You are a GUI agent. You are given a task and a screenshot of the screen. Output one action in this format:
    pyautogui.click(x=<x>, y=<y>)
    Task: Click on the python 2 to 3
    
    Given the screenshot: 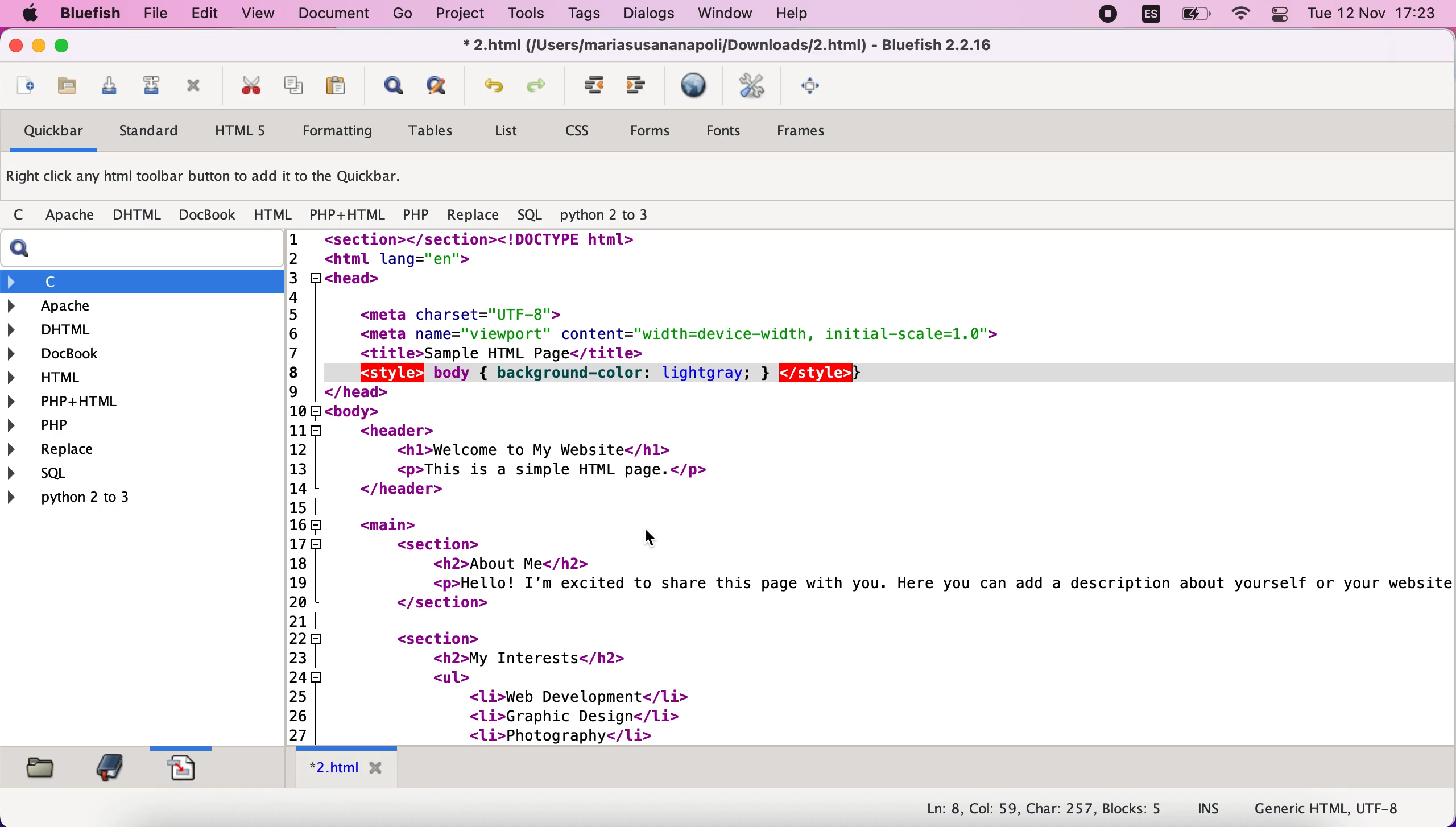 What is the action you would take?
    pyautogui.click(x=611, y=215)
    